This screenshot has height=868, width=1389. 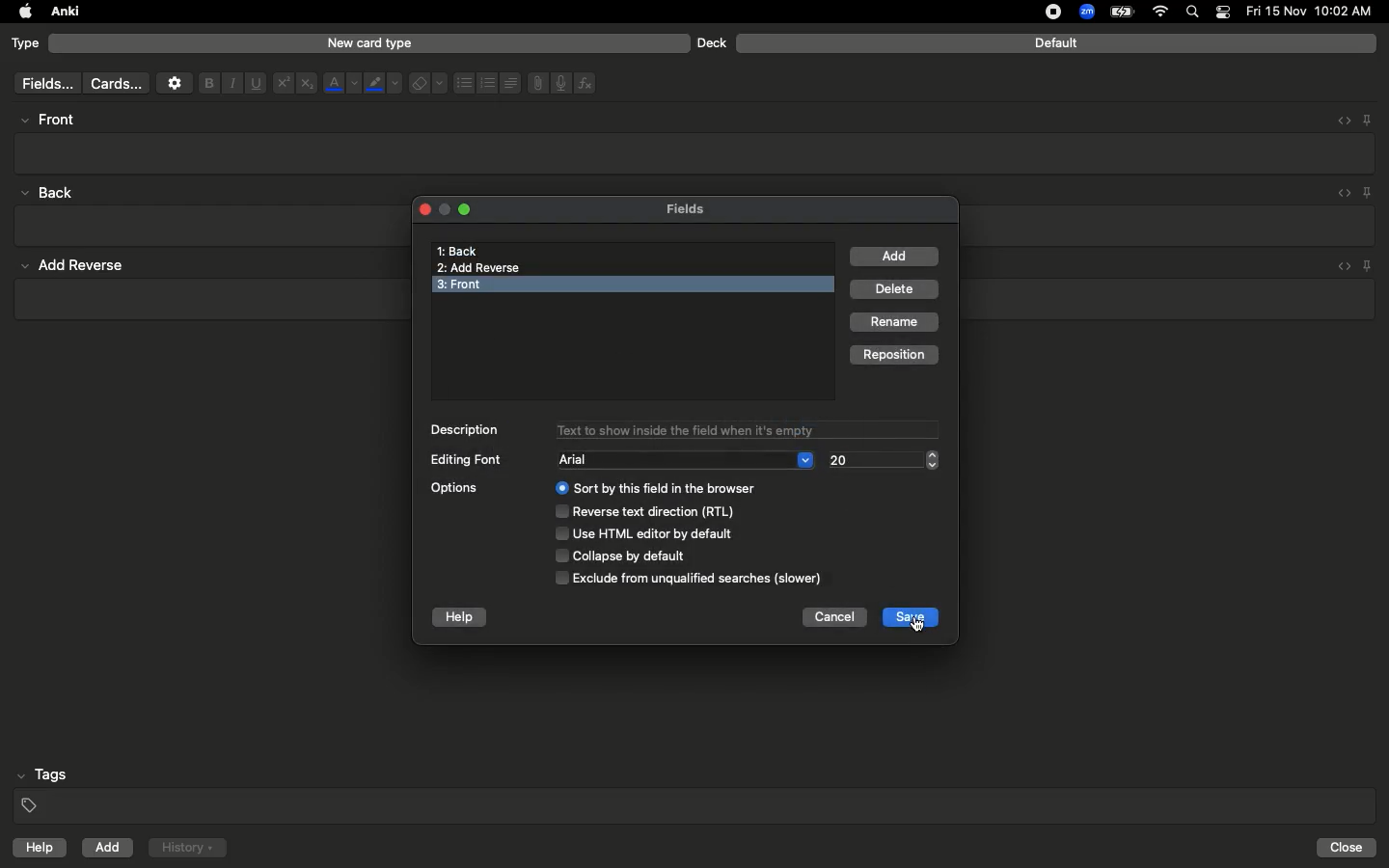 What do you see at coordinates (1121, 12) in the screenshot?
I see `Charge` at bounding box center [1121, 12].